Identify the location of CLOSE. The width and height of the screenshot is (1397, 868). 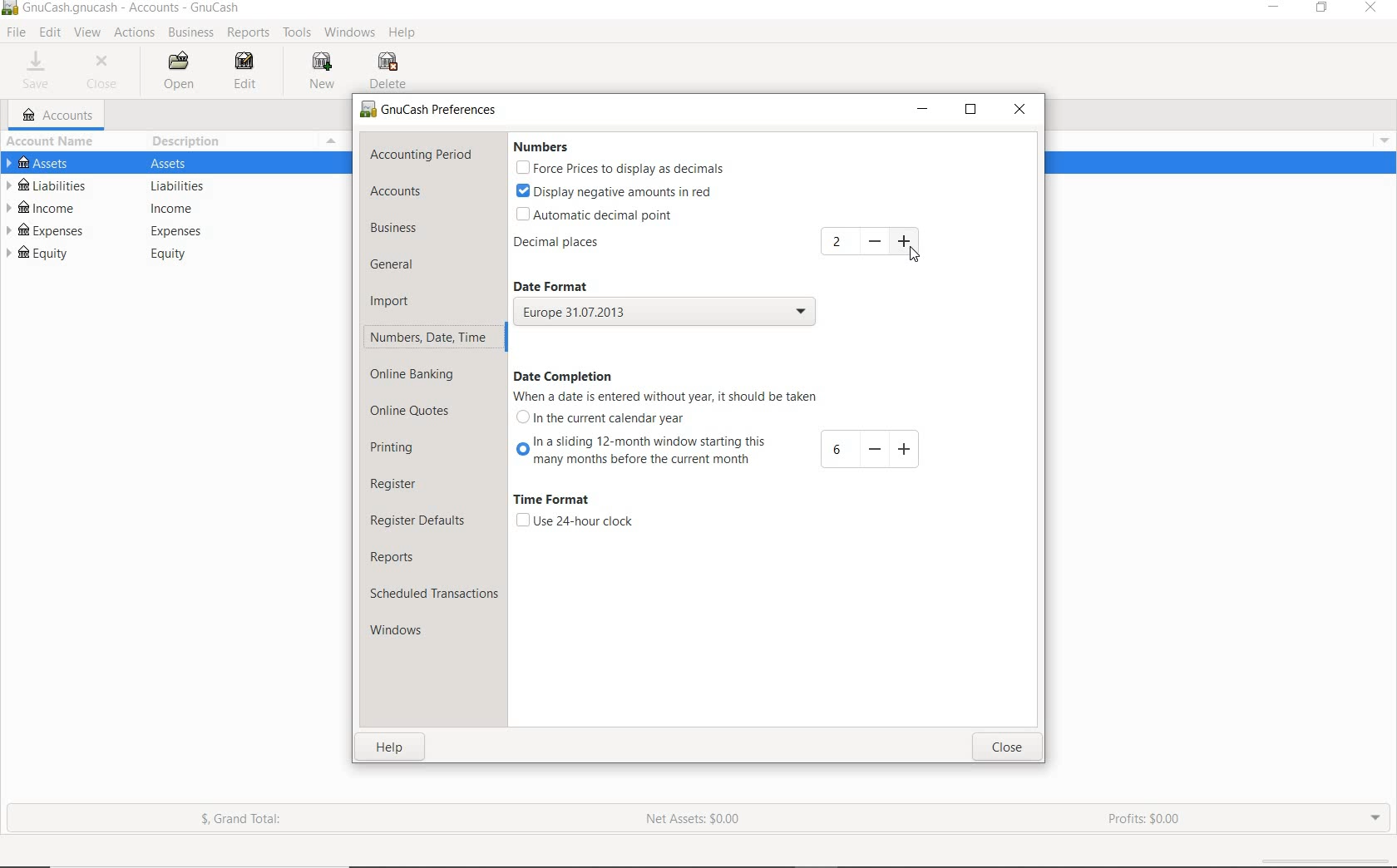
(1019, 111).